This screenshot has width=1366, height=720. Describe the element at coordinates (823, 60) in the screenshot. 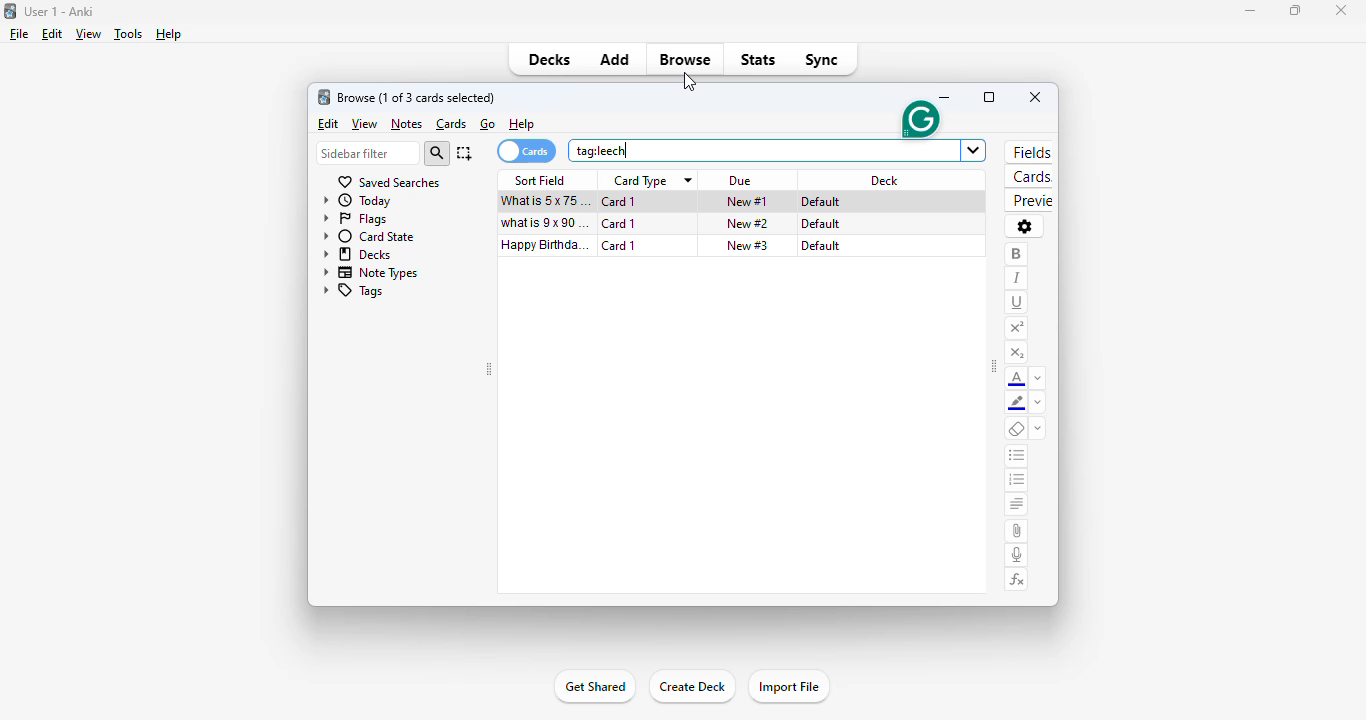

I see `sync` at that location.